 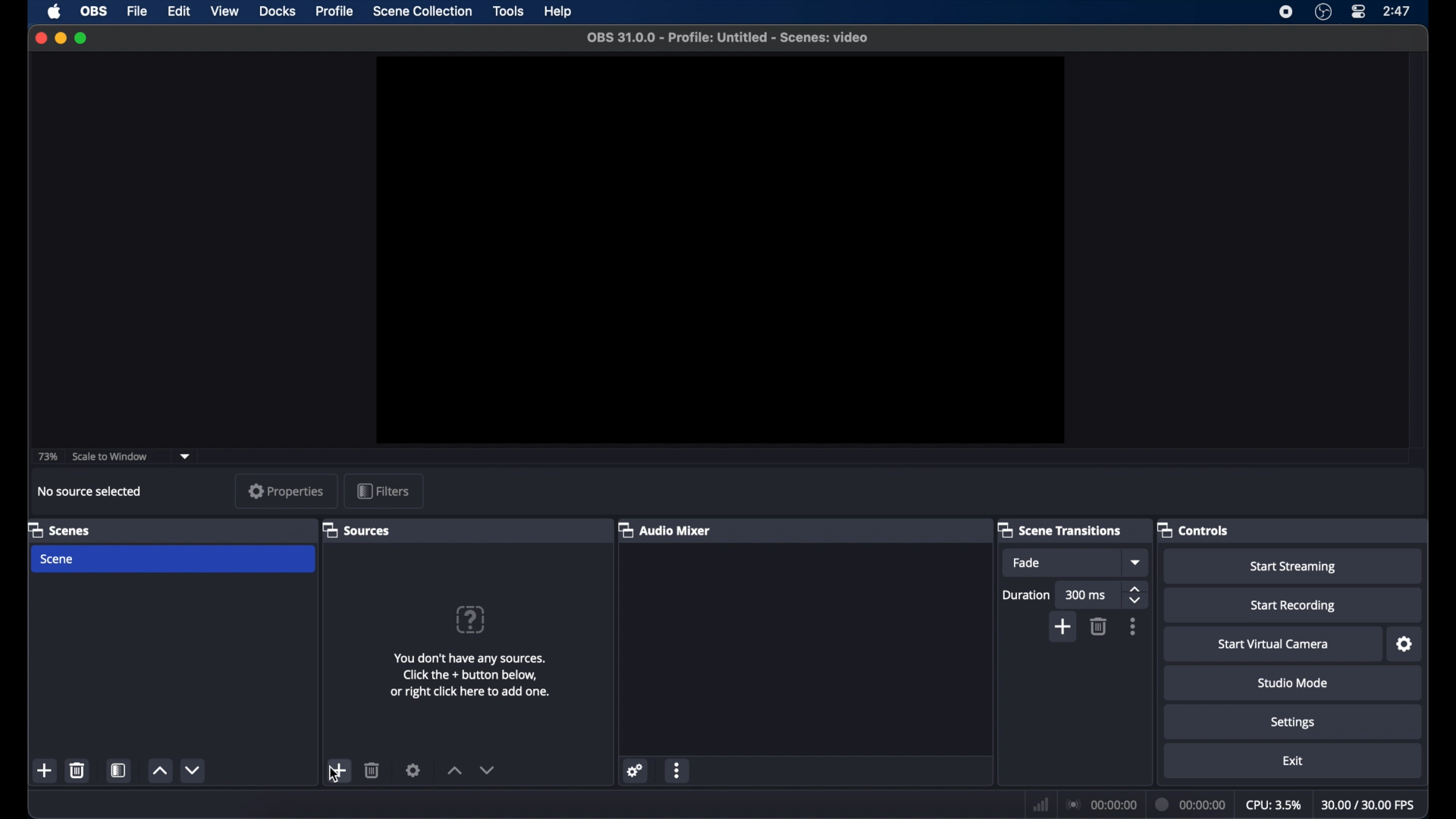 What do you see at coordinates (287, 491) in the screenshot?
I see `properties` at bounding box center [287, 491].